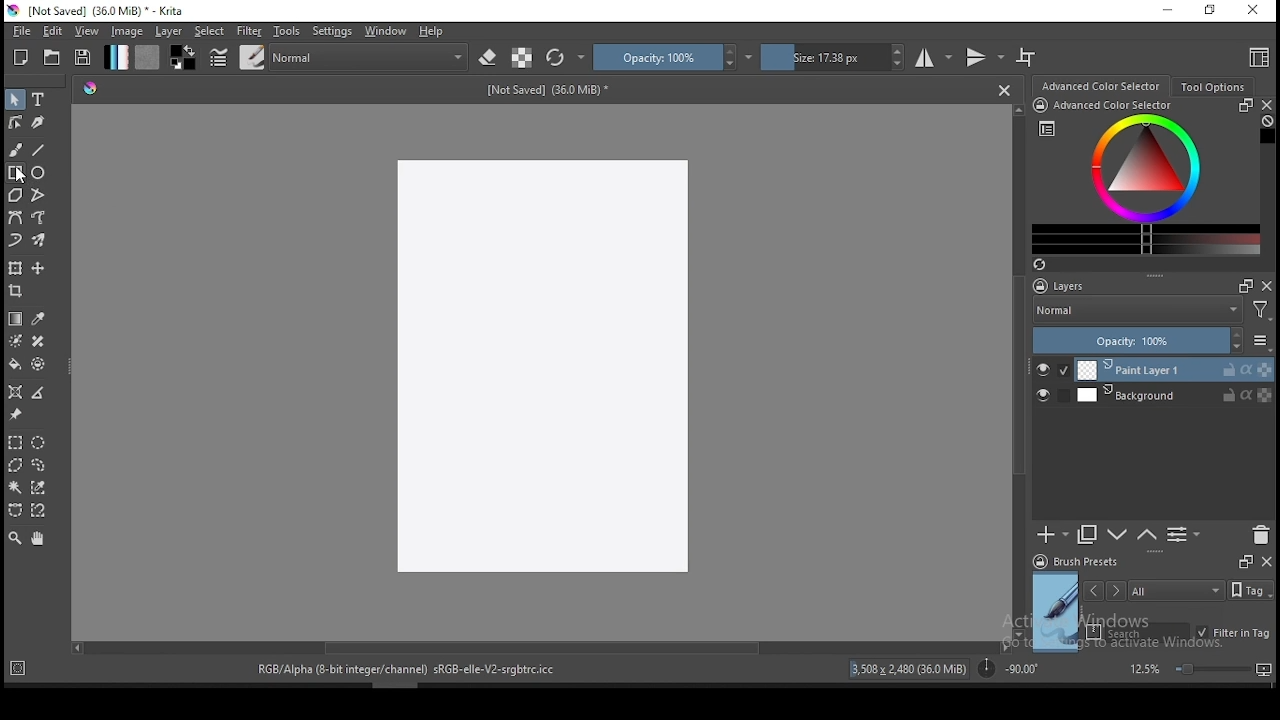 Image resolution: width=1280 pixels, height=720 pixels. I want to click on Target, so click(19, 669).